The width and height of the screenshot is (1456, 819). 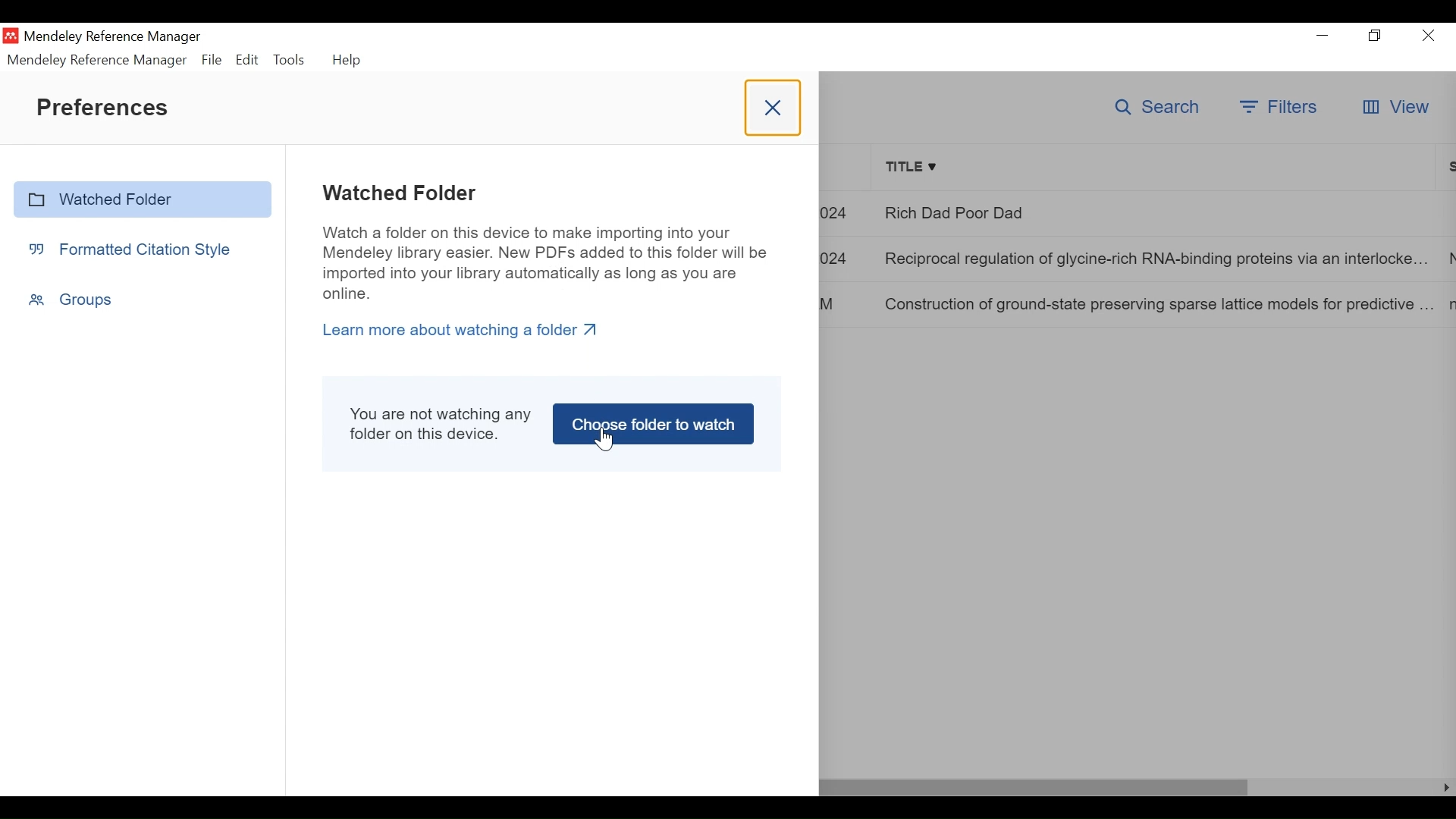 What do you see at coordinates (289, 61) in the screenshot?
I see `Tools` at bounding box center [289, 61].